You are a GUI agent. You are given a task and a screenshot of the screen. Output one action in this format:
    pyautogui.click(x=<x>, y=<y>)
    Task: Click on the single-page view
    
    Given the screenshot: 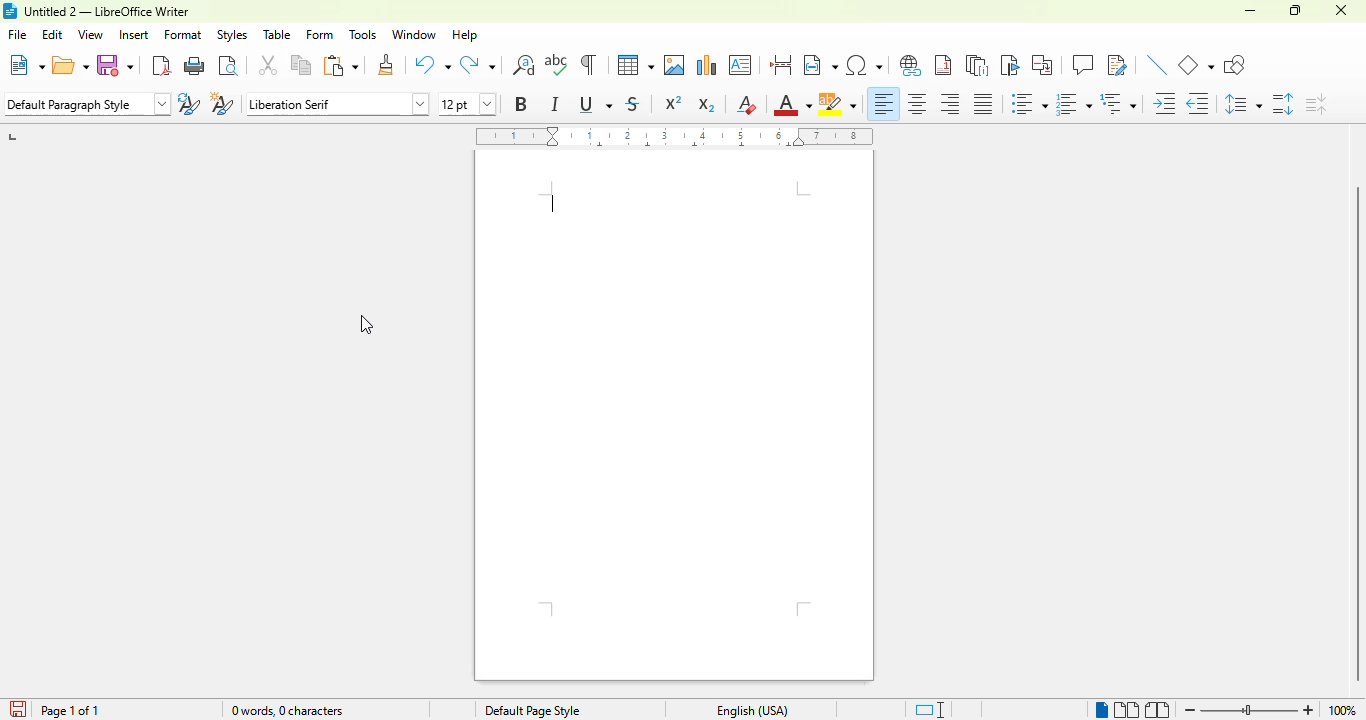 What is the action you would take?
    pyautogui.click(x=1101, y=710)
    